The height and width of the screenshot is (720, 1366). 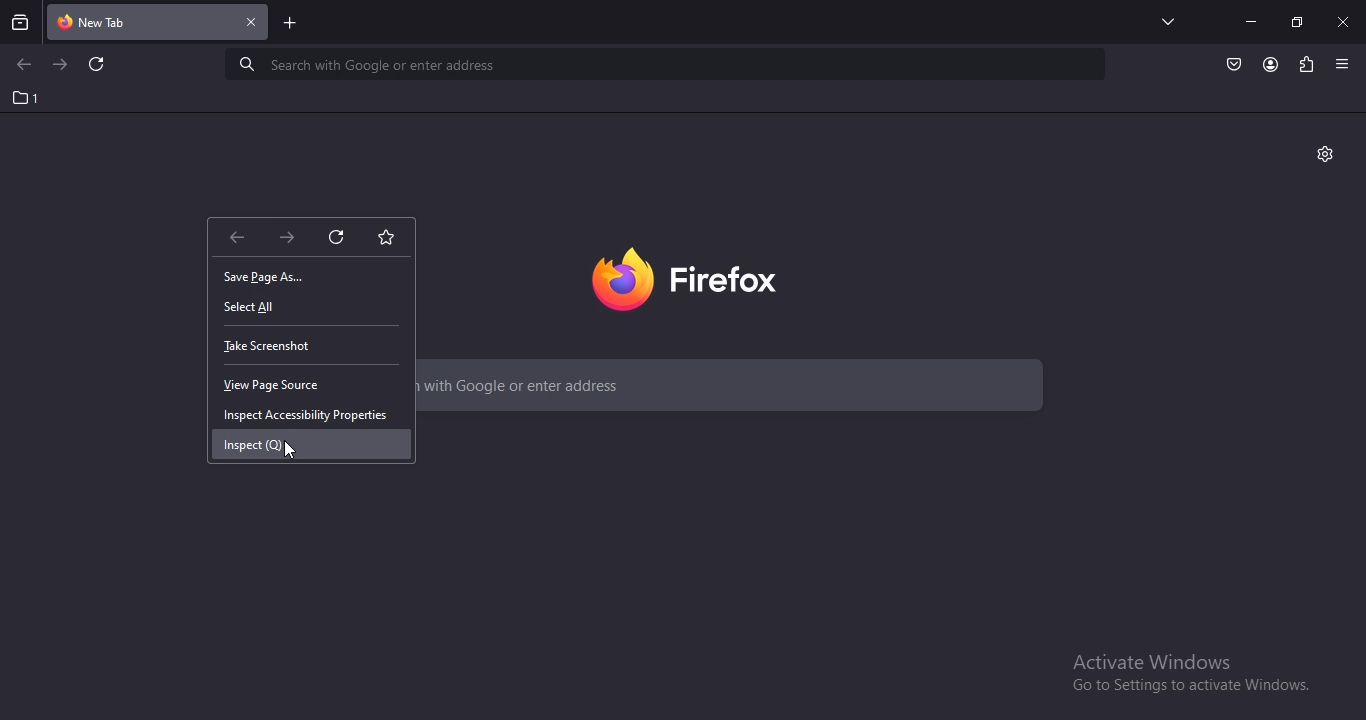 What do you see at coordinates (291, 449) in the screenshot?
I see `cursor` at bounding box center [291, 449].